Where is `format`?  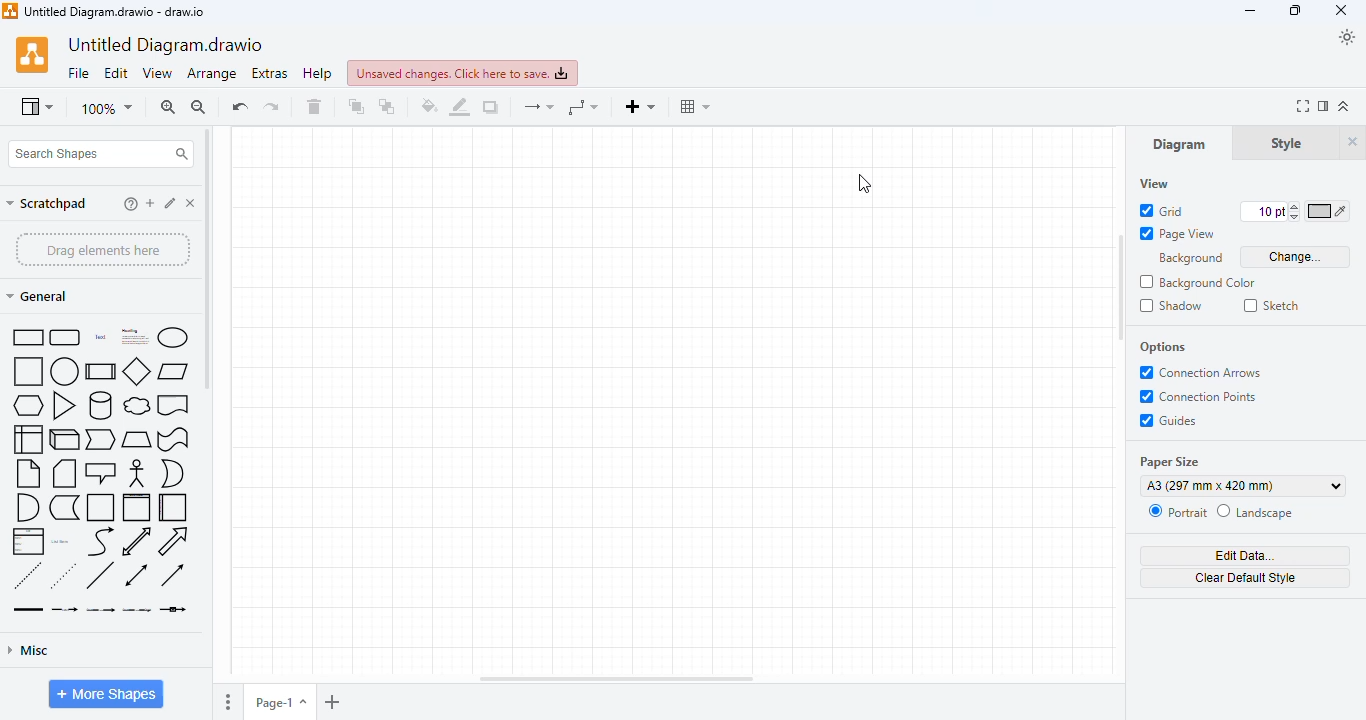 format is located at coordinates (1325, 106).